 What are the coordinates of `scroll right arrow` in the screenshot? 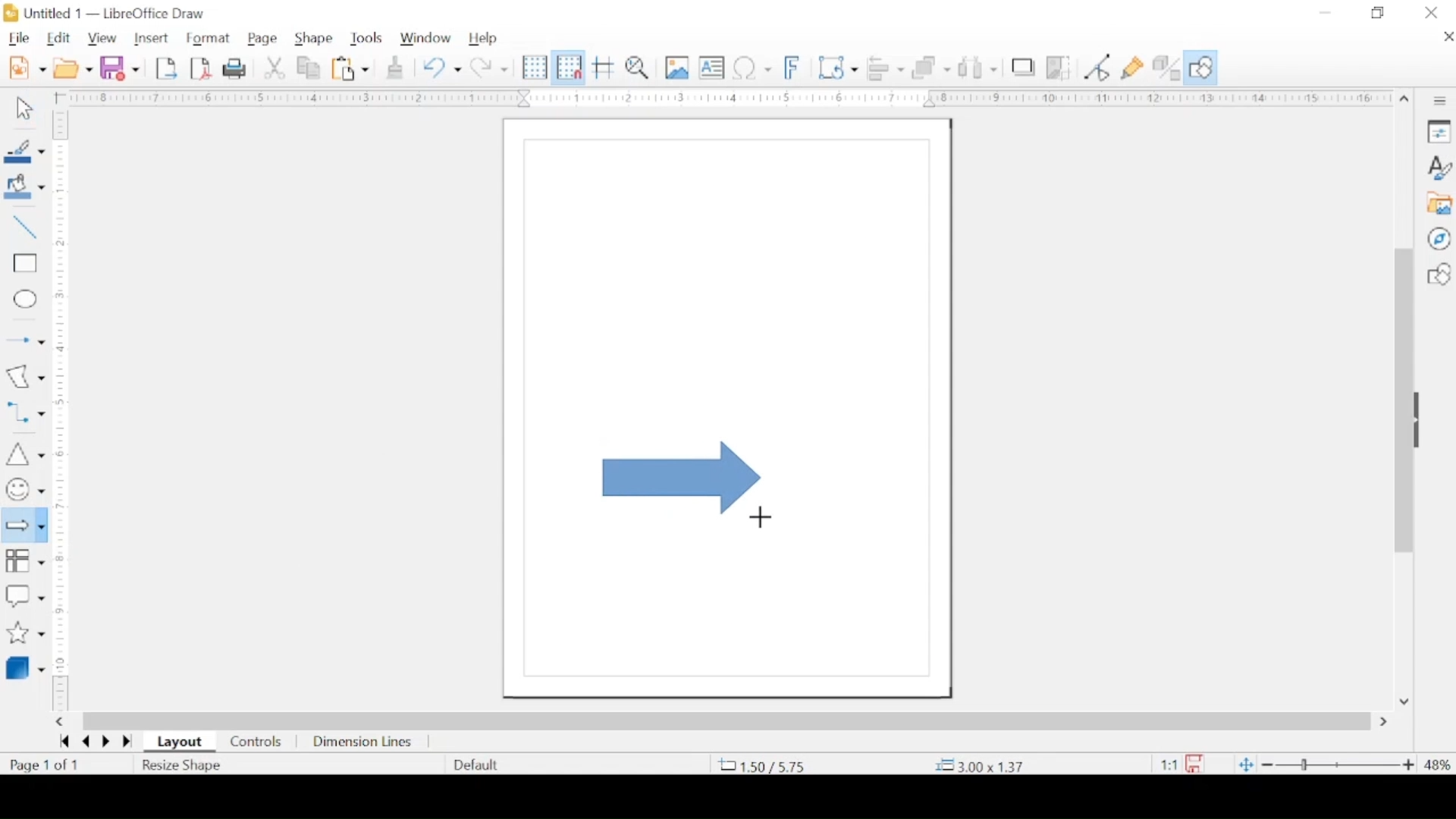 It's located at (1387, 722).